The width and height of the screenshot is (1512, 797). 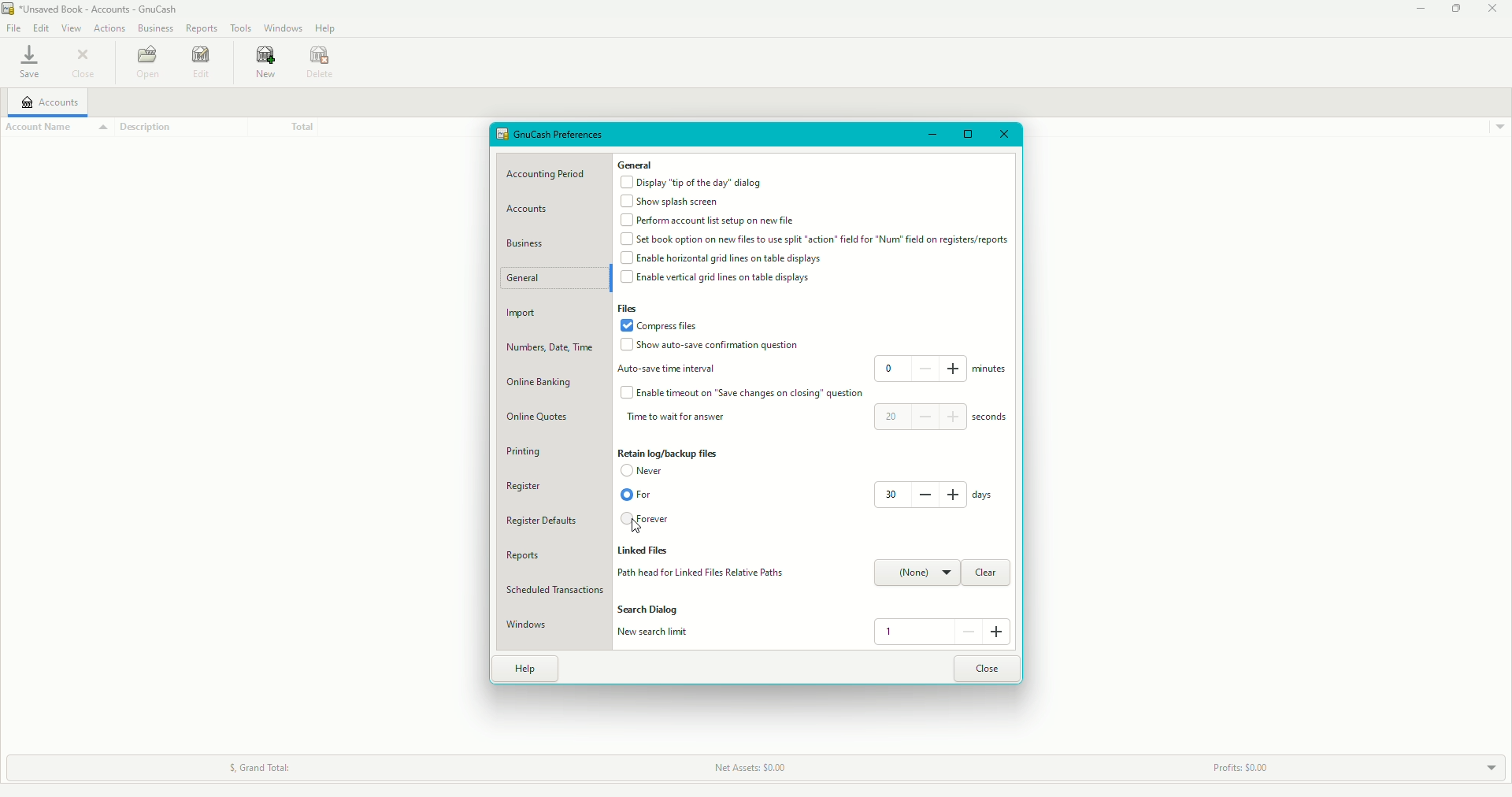 What do you see at coordinates (144, 61) in the screenshot?
I see `Open` at bounding box center [144, 61].